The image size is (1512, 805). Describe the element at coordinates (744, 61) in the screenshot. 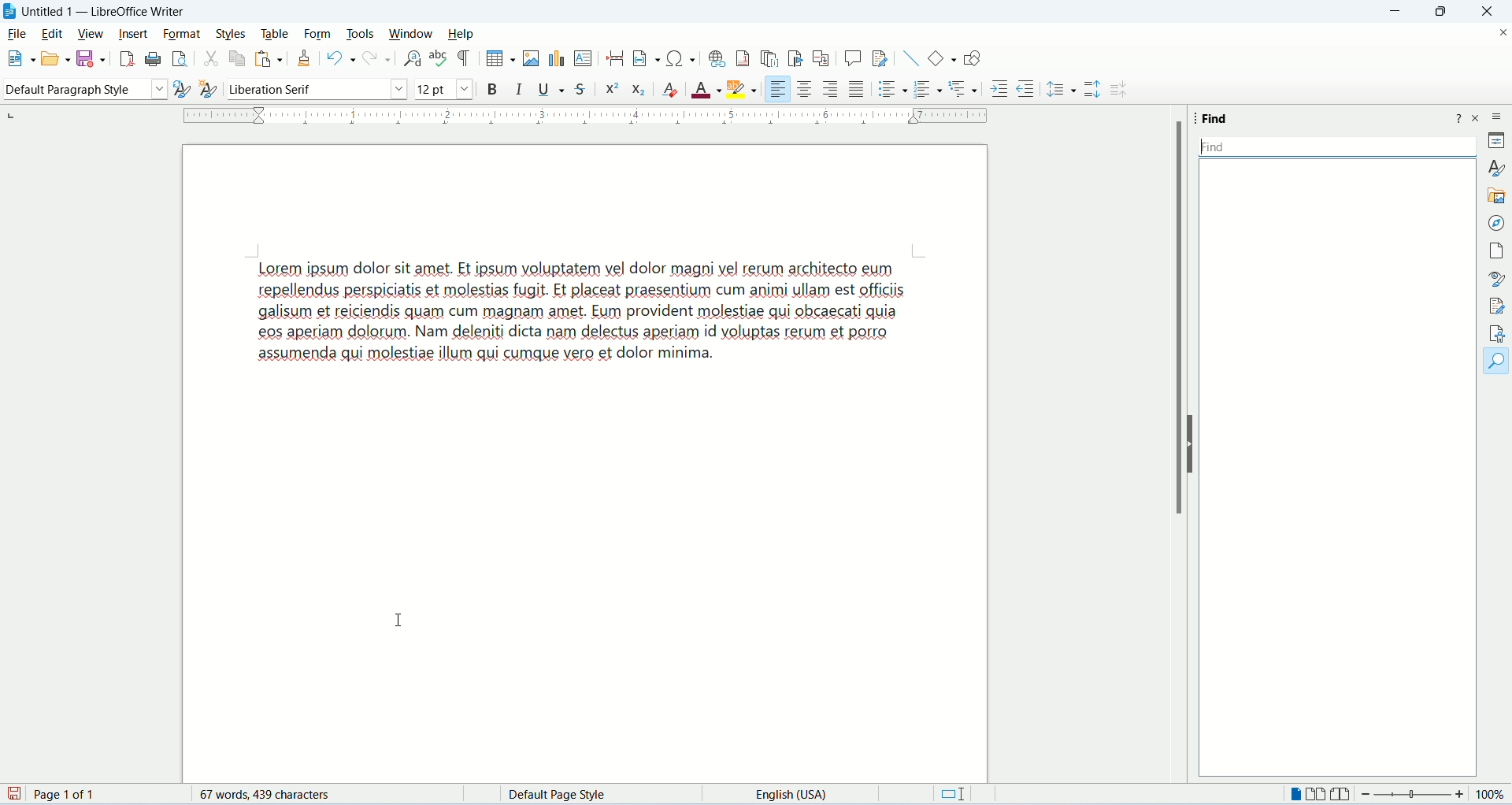

I see `insert footnote` at that location.